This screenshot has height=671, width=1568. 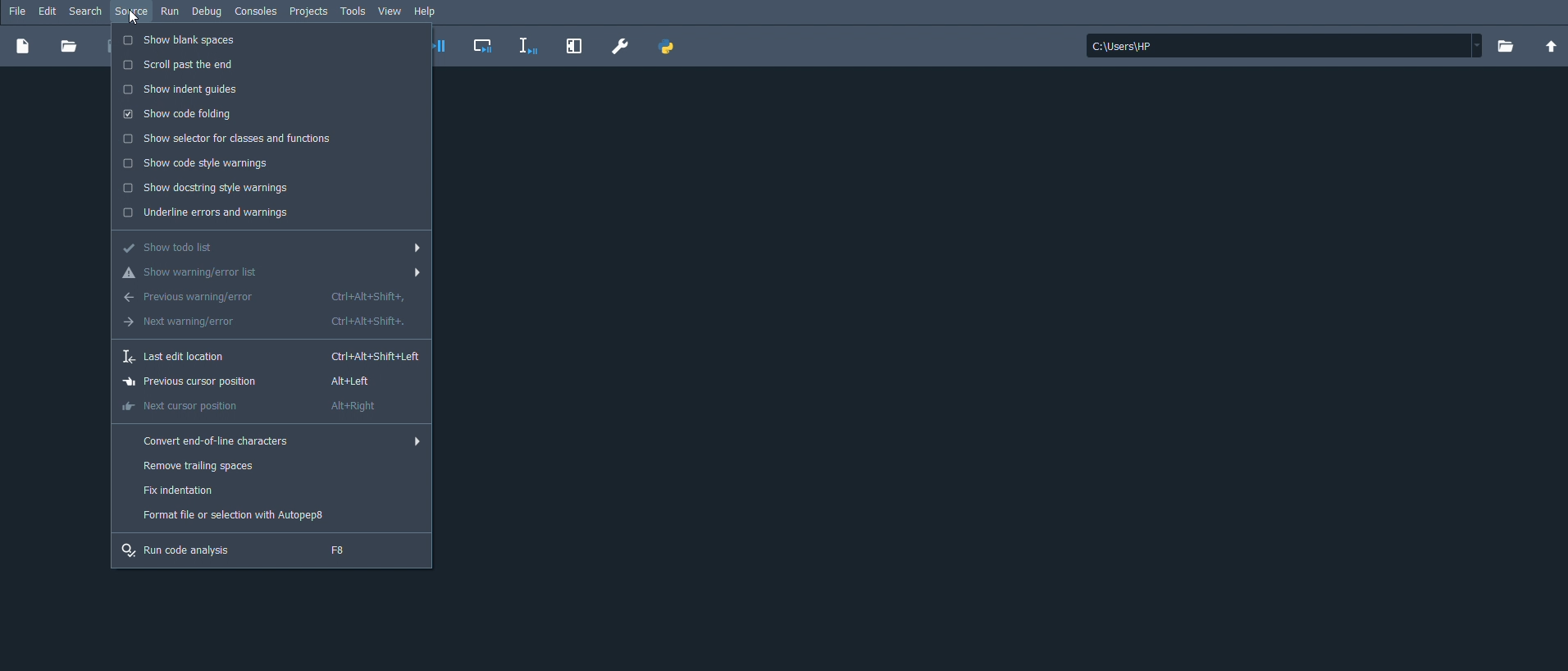 I want to click on Source, so click(x=134, y=11).